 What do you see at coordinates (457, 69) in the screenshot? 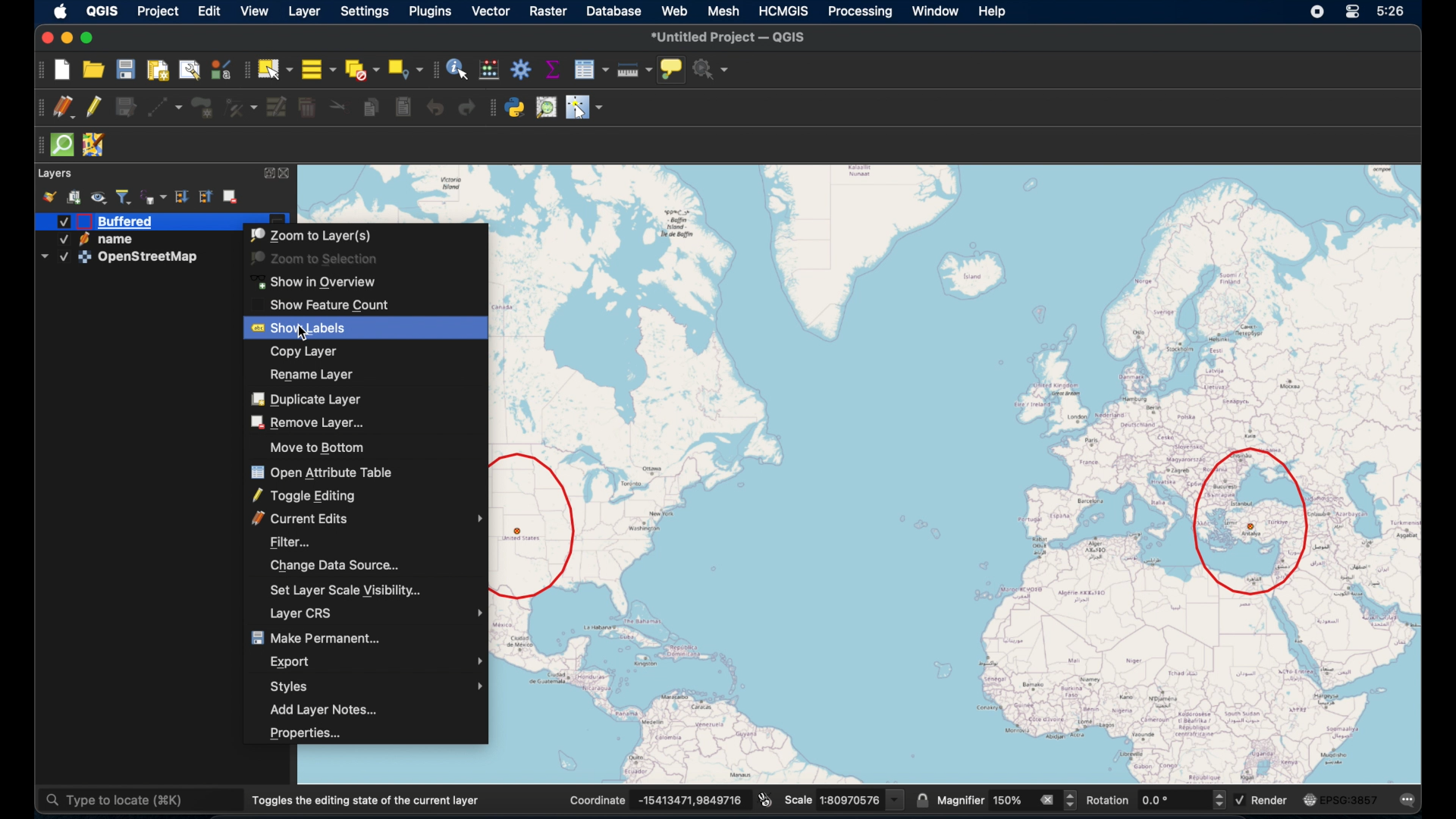
I see `identify features` at bounding box center [457, 69].